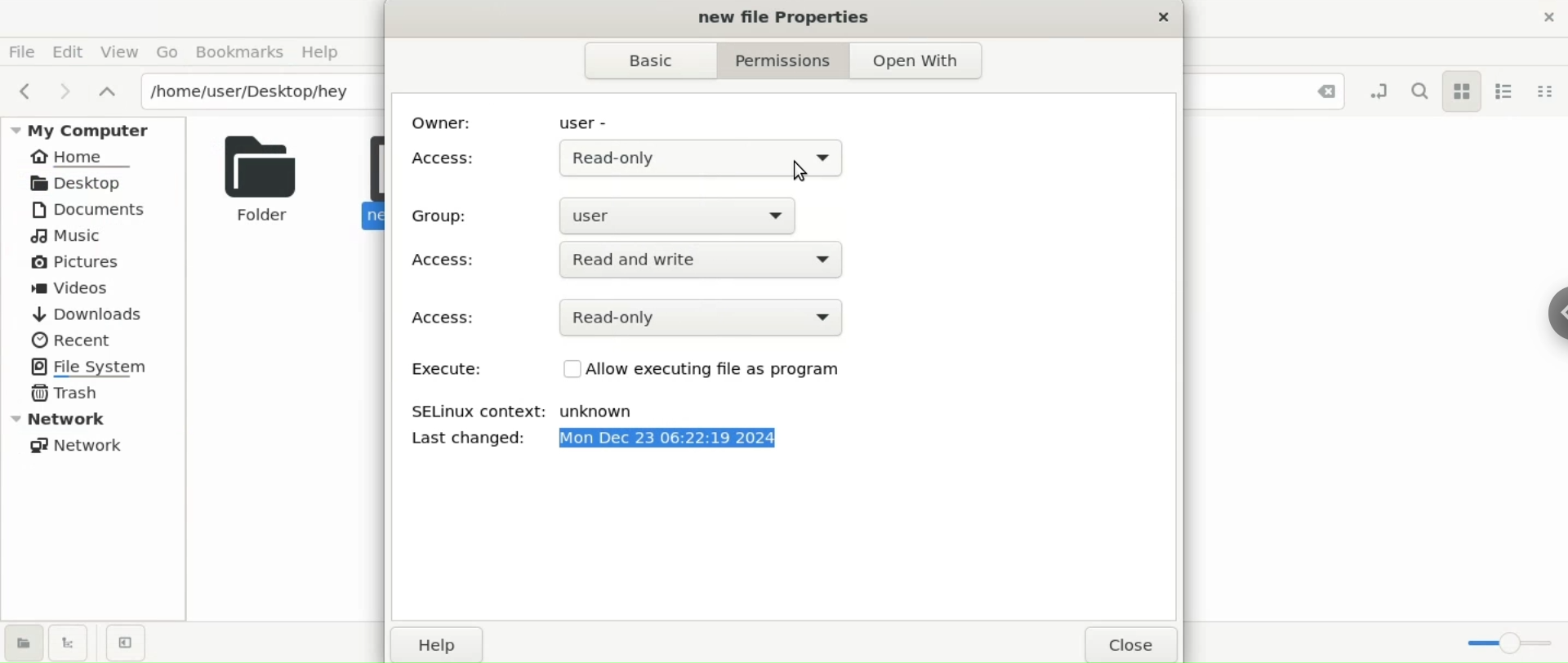 This screenshot has height=663, width=1568. Describe the element at coordinates (1513, 639) in the screenshot. I see `zoom` at that location.